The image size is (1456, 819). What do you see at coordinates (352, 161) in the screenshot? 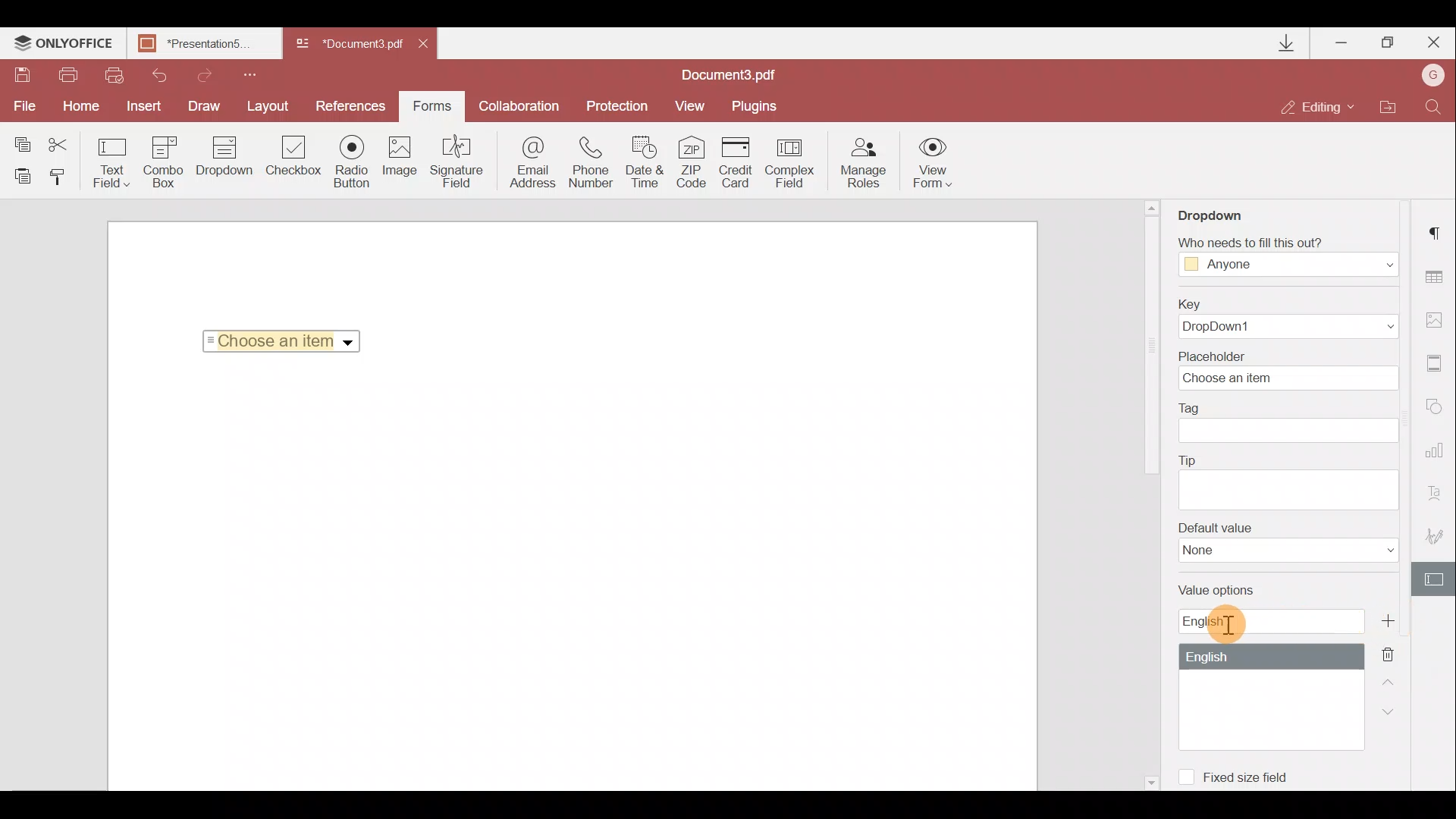
I see `Radio button` at bounding box center [352, 161].